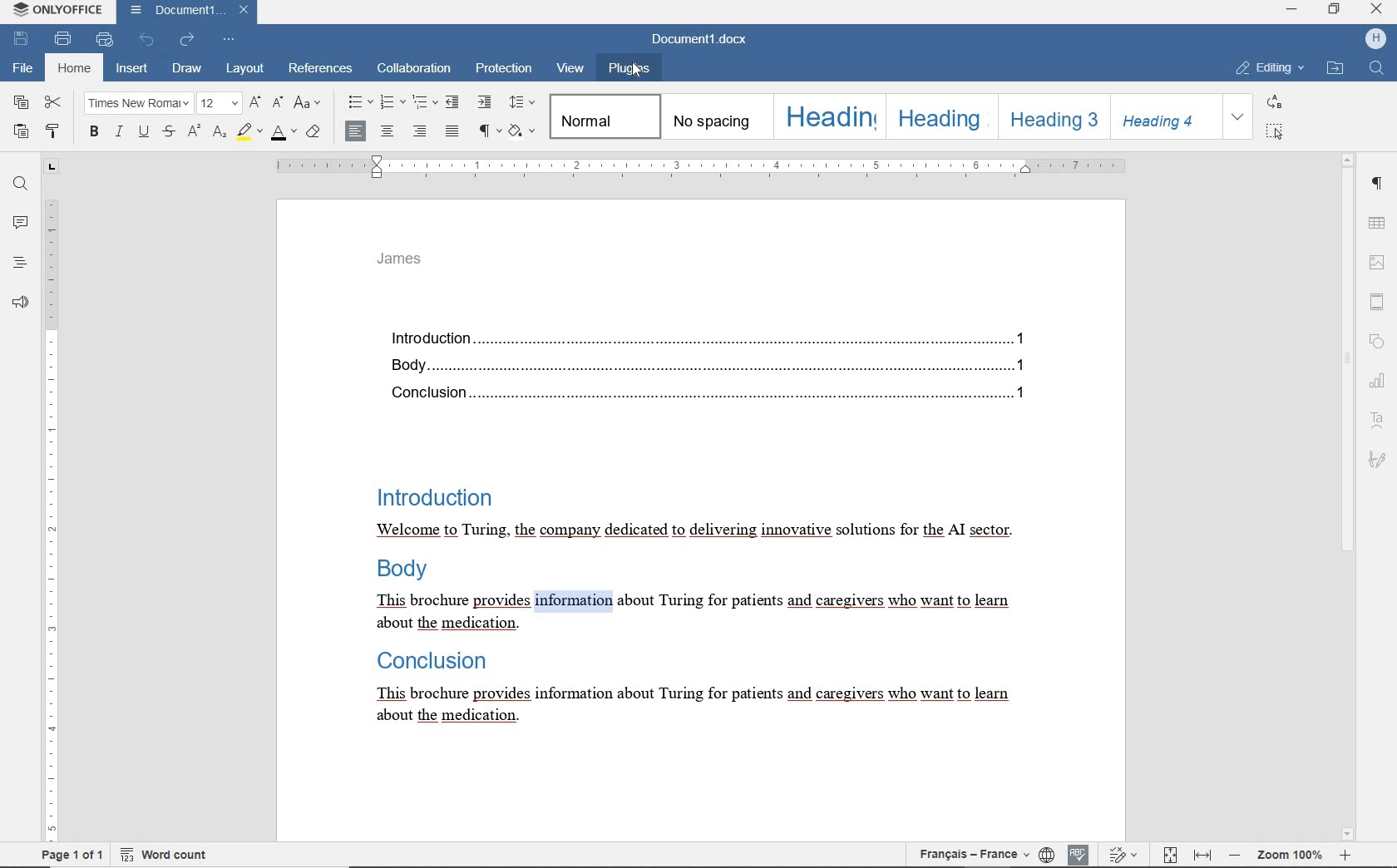 Image resolution: width=1397 pixels, height=868 pixels. What do you see at coordinates (570, 72) in the screenshot?
I see `VIEW` at bounding box center [570, 72].